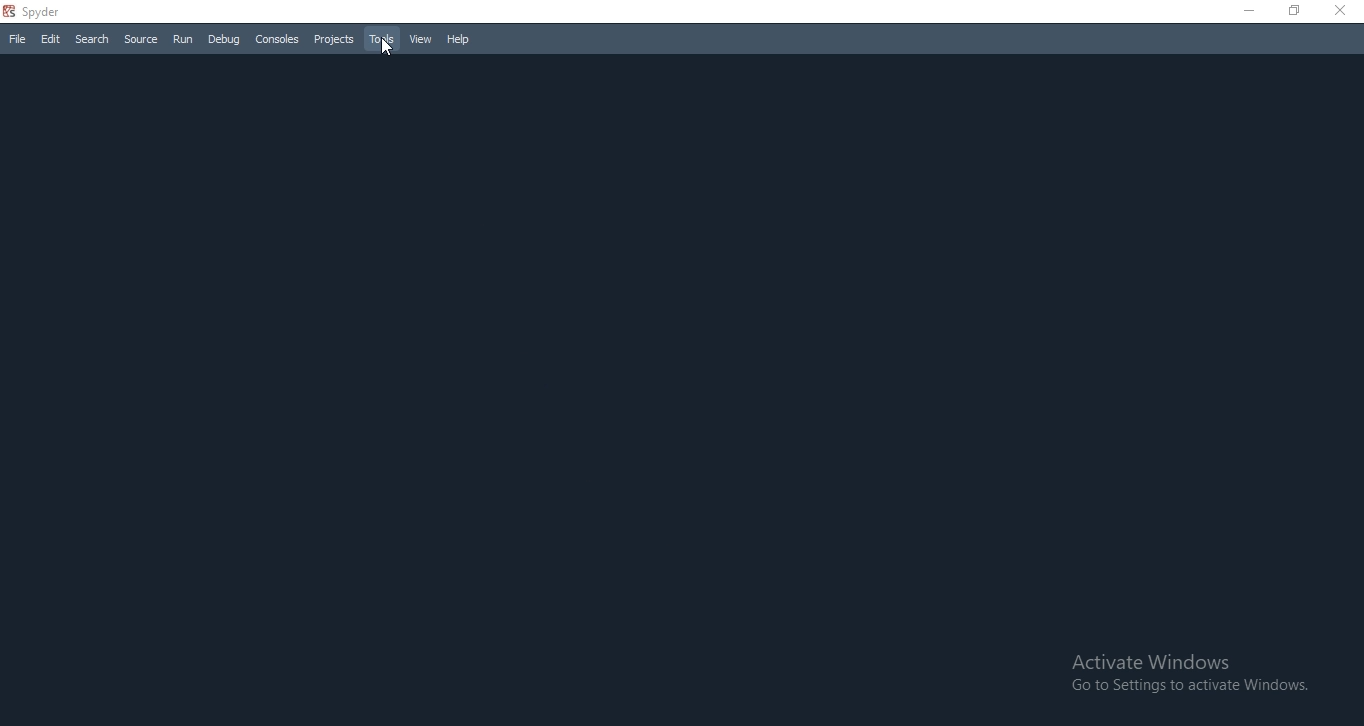 The image size is (1364, 726). Describe the element at coordinates (276, 39) in the screenshot. I see `Consoles` at that location.